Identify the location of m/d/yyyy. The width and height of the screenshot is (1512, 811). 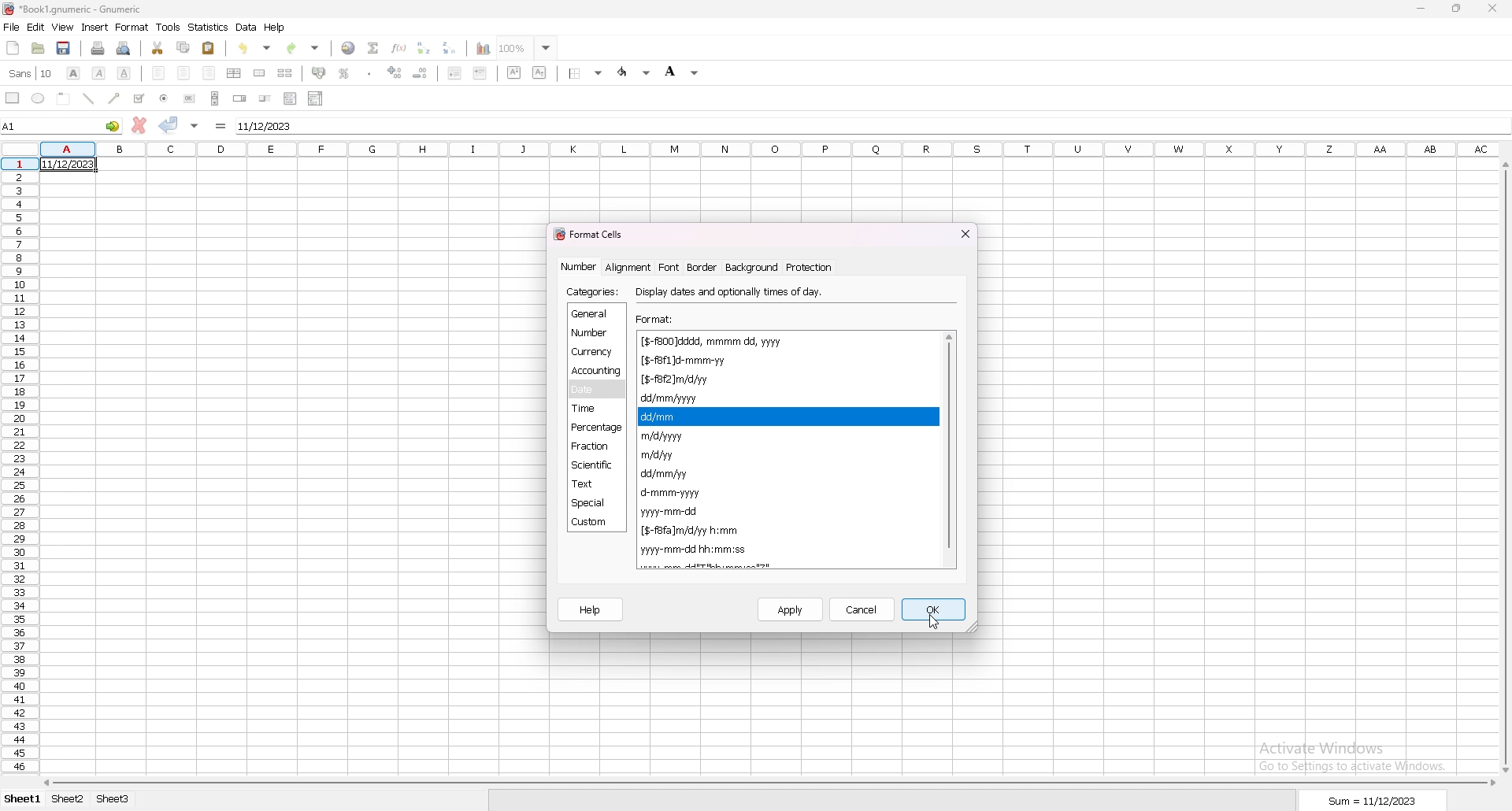
(661, 436).